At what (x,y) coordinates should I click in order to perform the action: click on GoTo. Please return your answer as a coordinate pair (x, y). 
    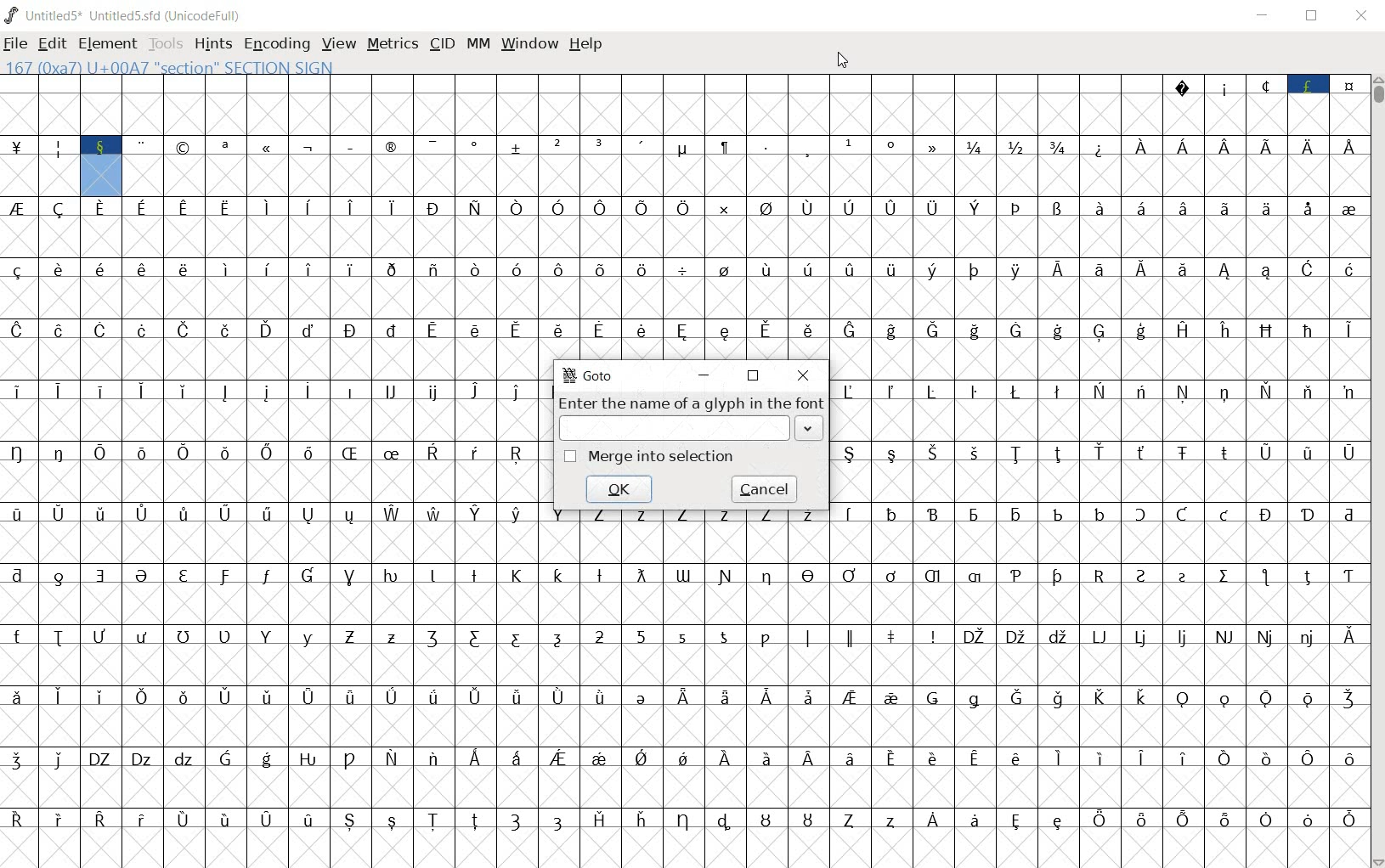
    Looking at the image, I should click on (588, 375).